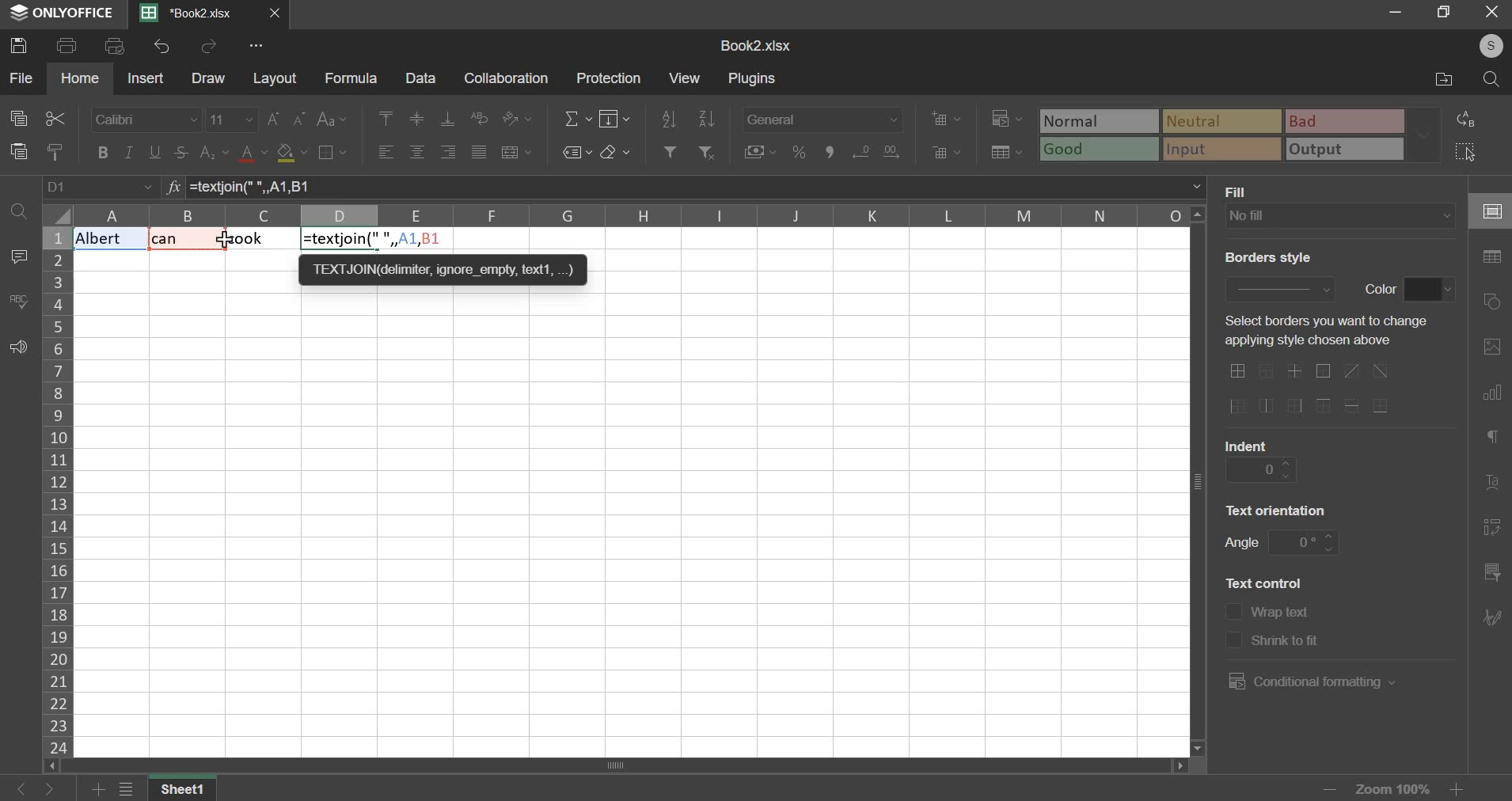 The width and height of the screenshot is (1512, 801). I want to click on change case, so click(331, 120).